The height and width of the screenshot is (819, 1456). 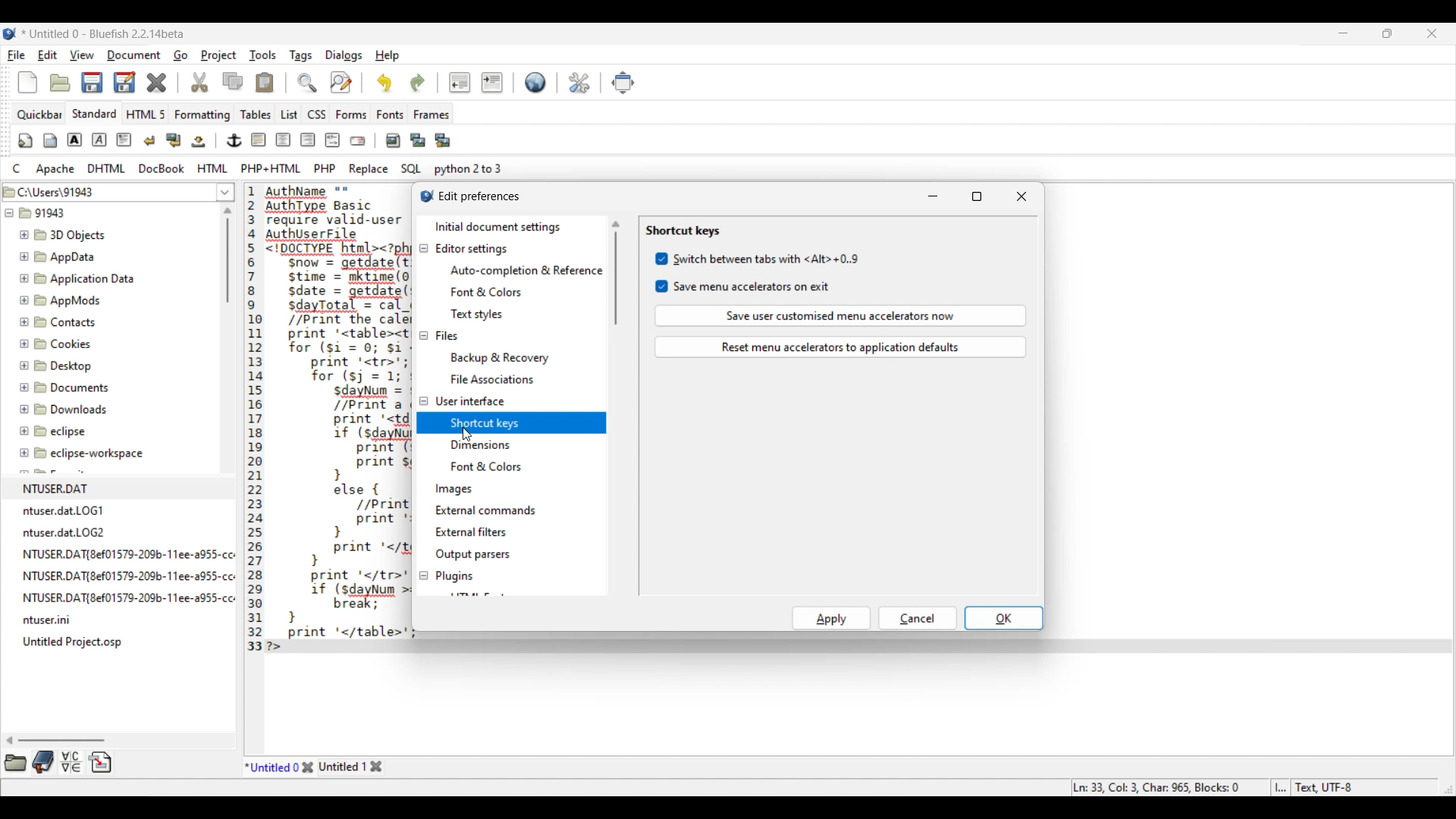 What do you see at coordinates (60, 256) in the screenshot?
I see `AppData` at bounding box center [60, 256].